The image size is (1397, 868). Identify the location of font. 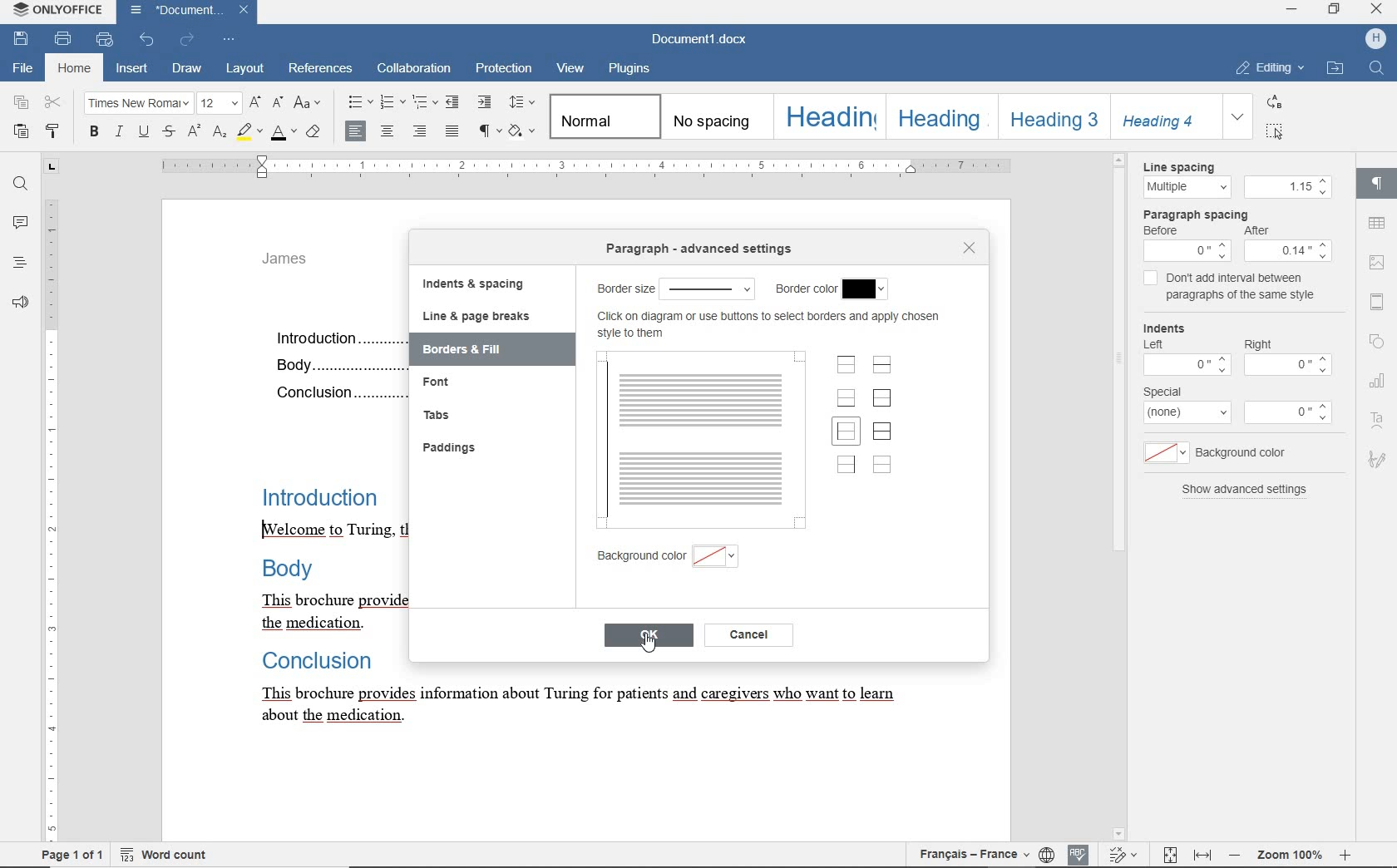
(138, 104).